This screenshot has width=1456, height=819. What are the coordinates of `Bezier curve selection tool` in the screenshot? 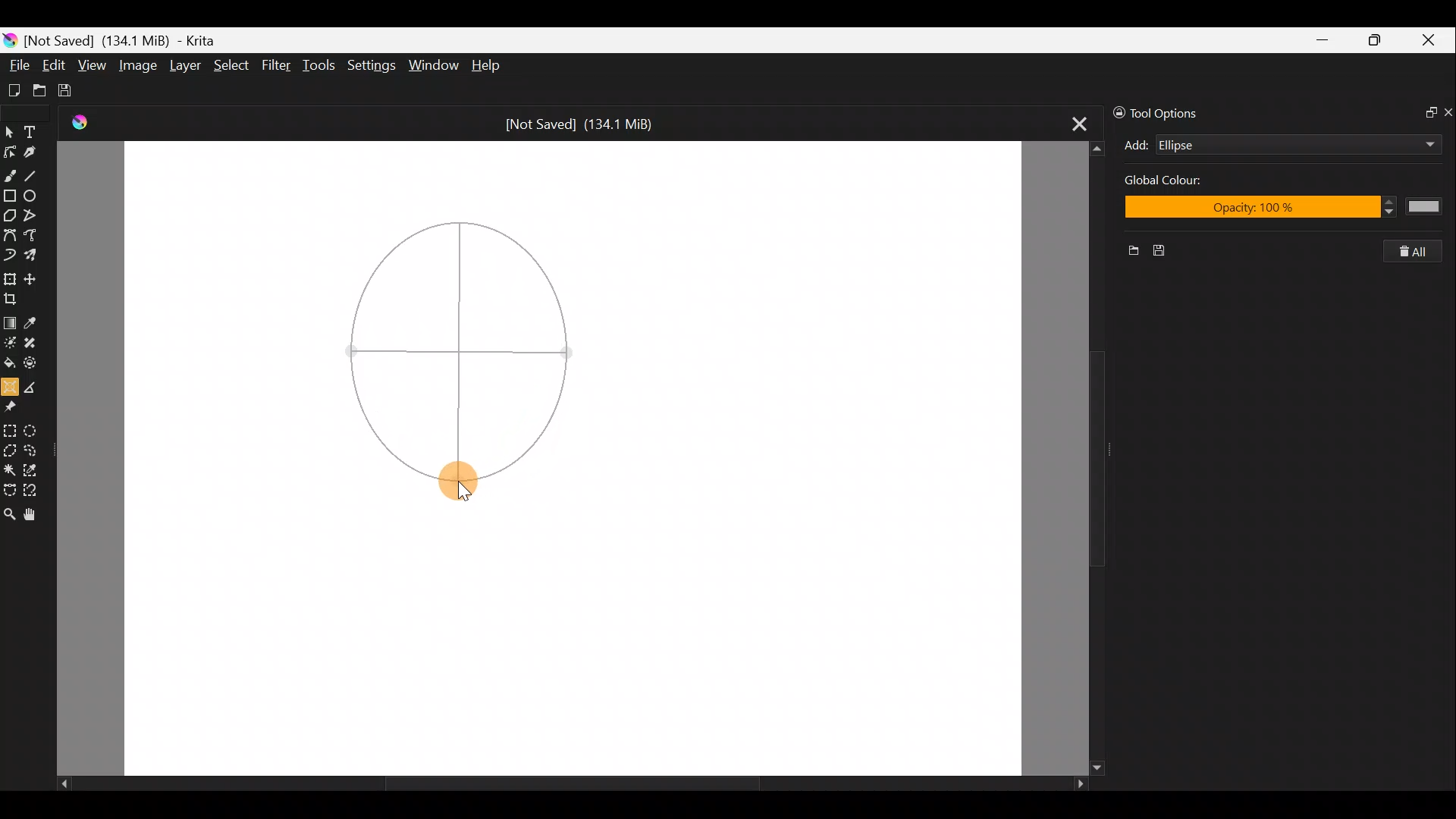 It's located at (9, 491).